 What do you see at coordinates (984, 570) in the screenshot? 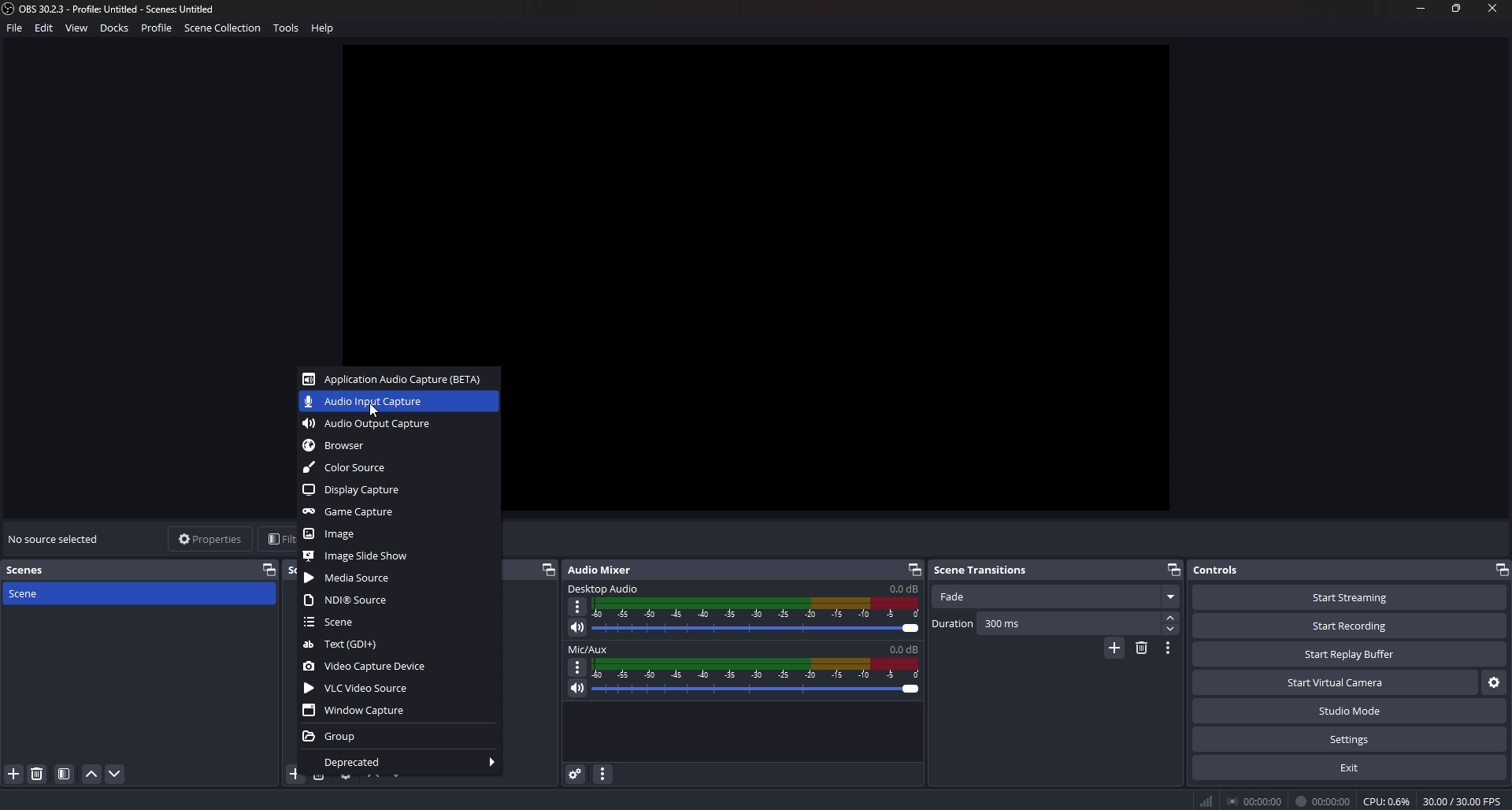
I see `scene transitions` at bounding box center [984, 570].